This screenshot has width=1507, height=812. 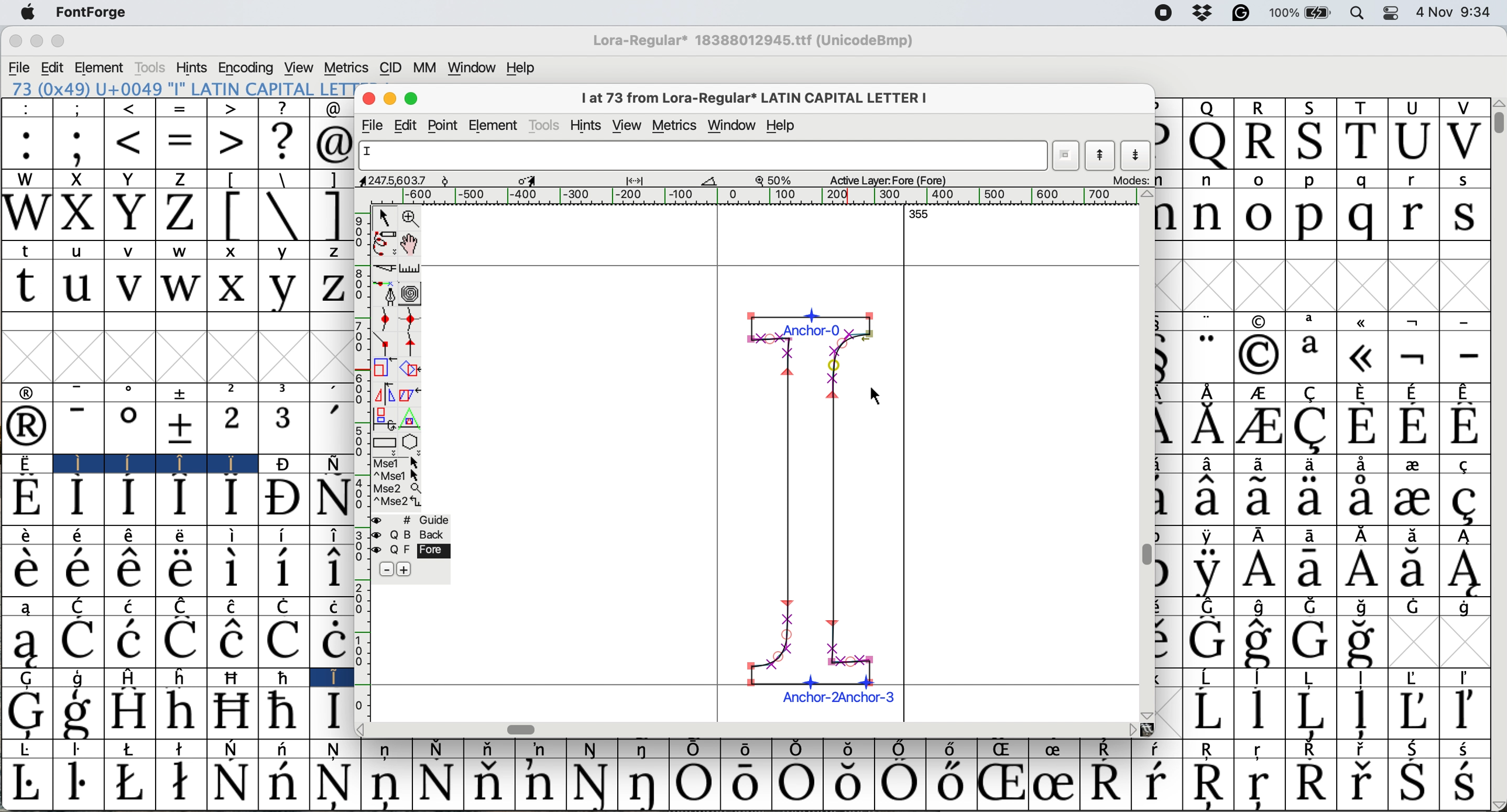 I want to click on symbol, so click(x=29, y=391).